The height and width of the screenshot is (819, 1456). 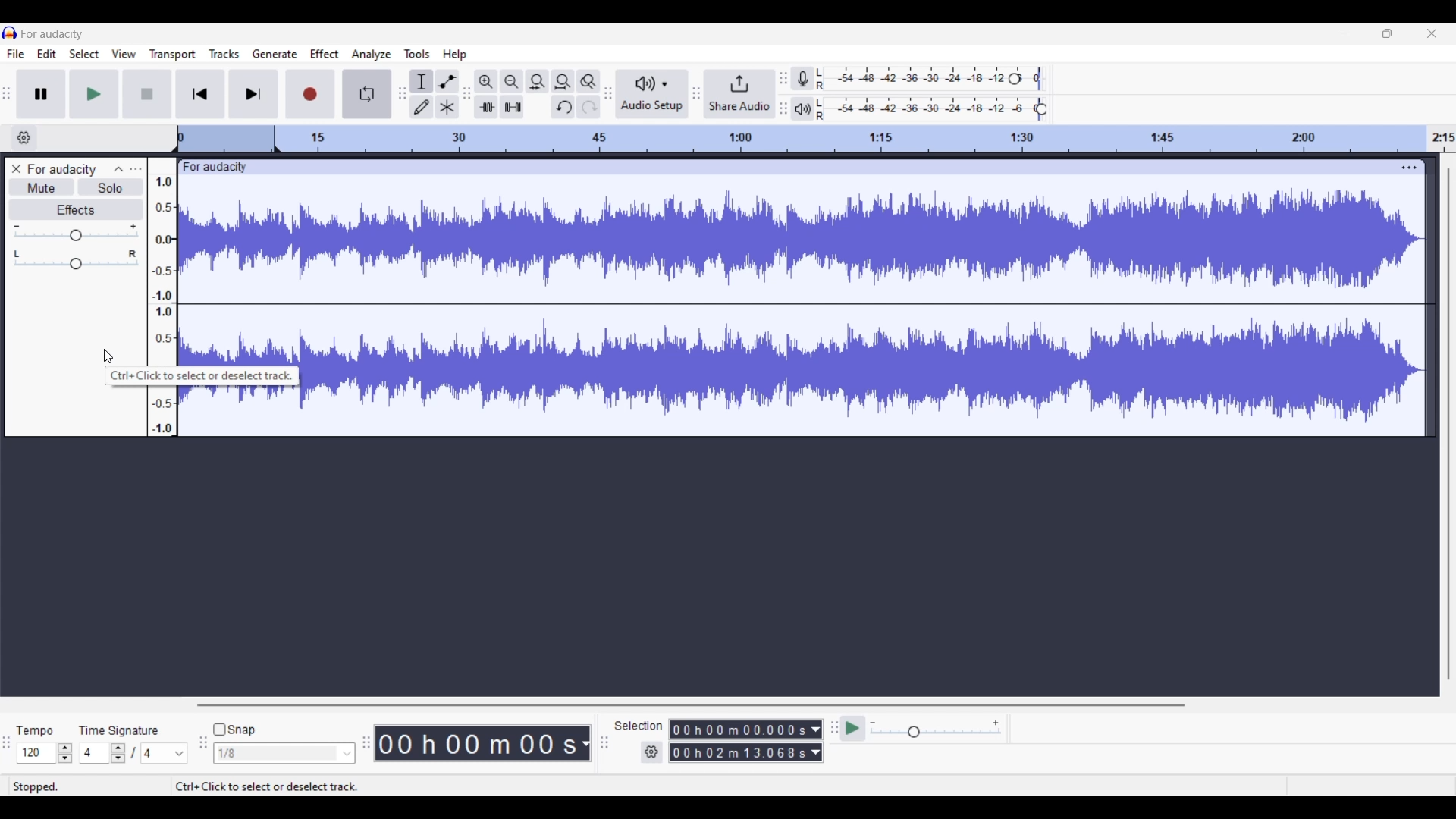 I want to click on Software name, so click(x=53, y=33).